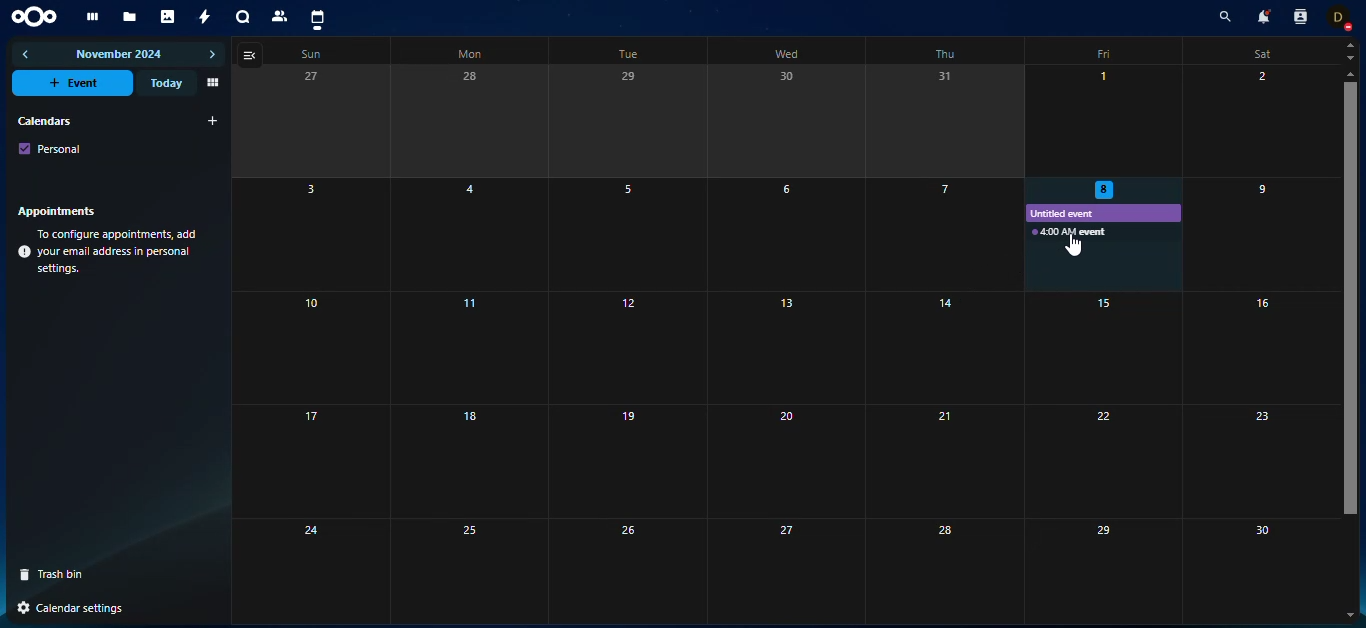 The width and height of the screenshot is (1366, 628). Describe the element at coordinates (206, 17) in the screenshot. I see `activity` at that location.